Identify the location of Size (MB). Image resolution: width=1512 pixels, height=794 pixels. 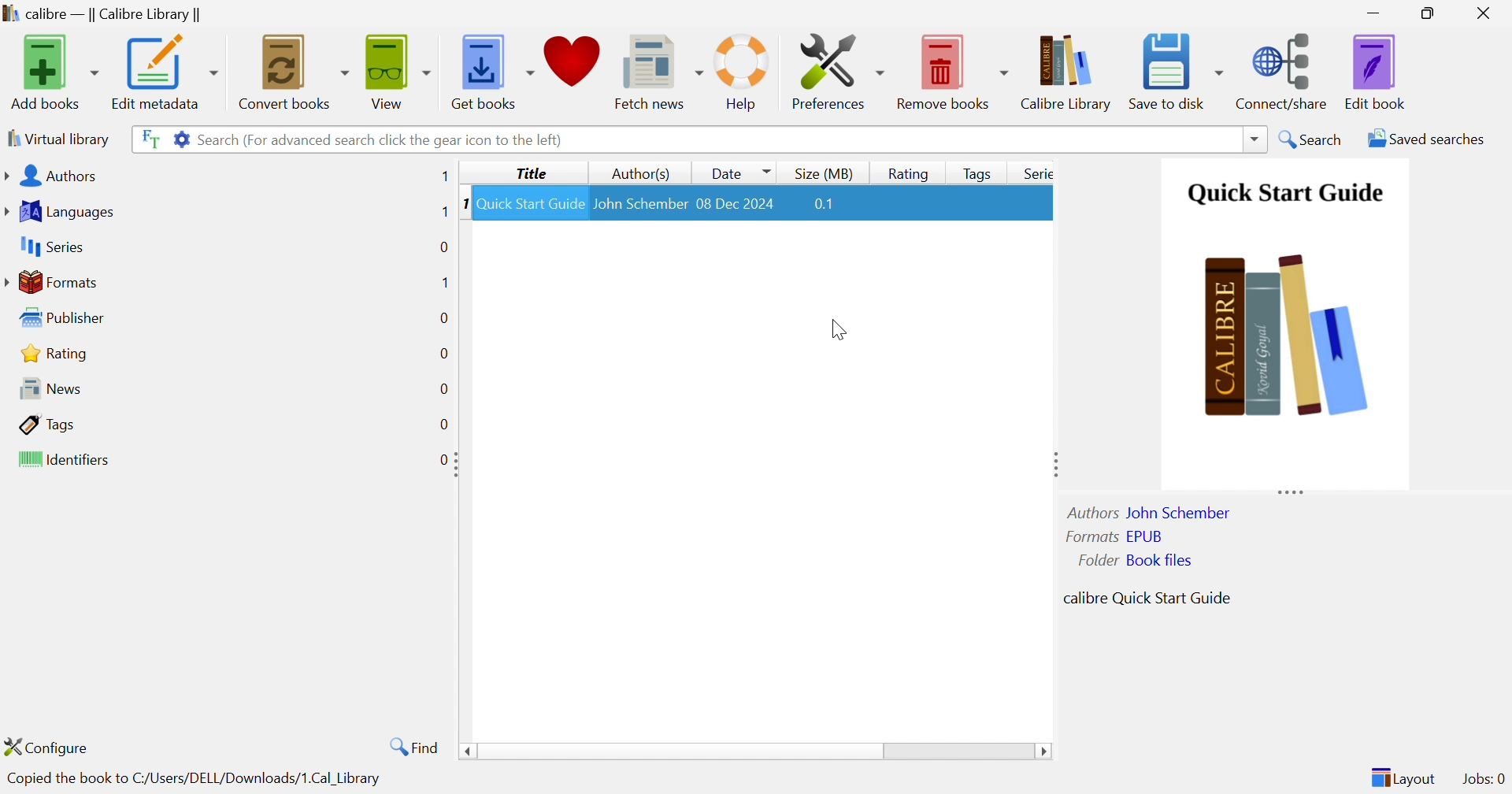
(823, 173).